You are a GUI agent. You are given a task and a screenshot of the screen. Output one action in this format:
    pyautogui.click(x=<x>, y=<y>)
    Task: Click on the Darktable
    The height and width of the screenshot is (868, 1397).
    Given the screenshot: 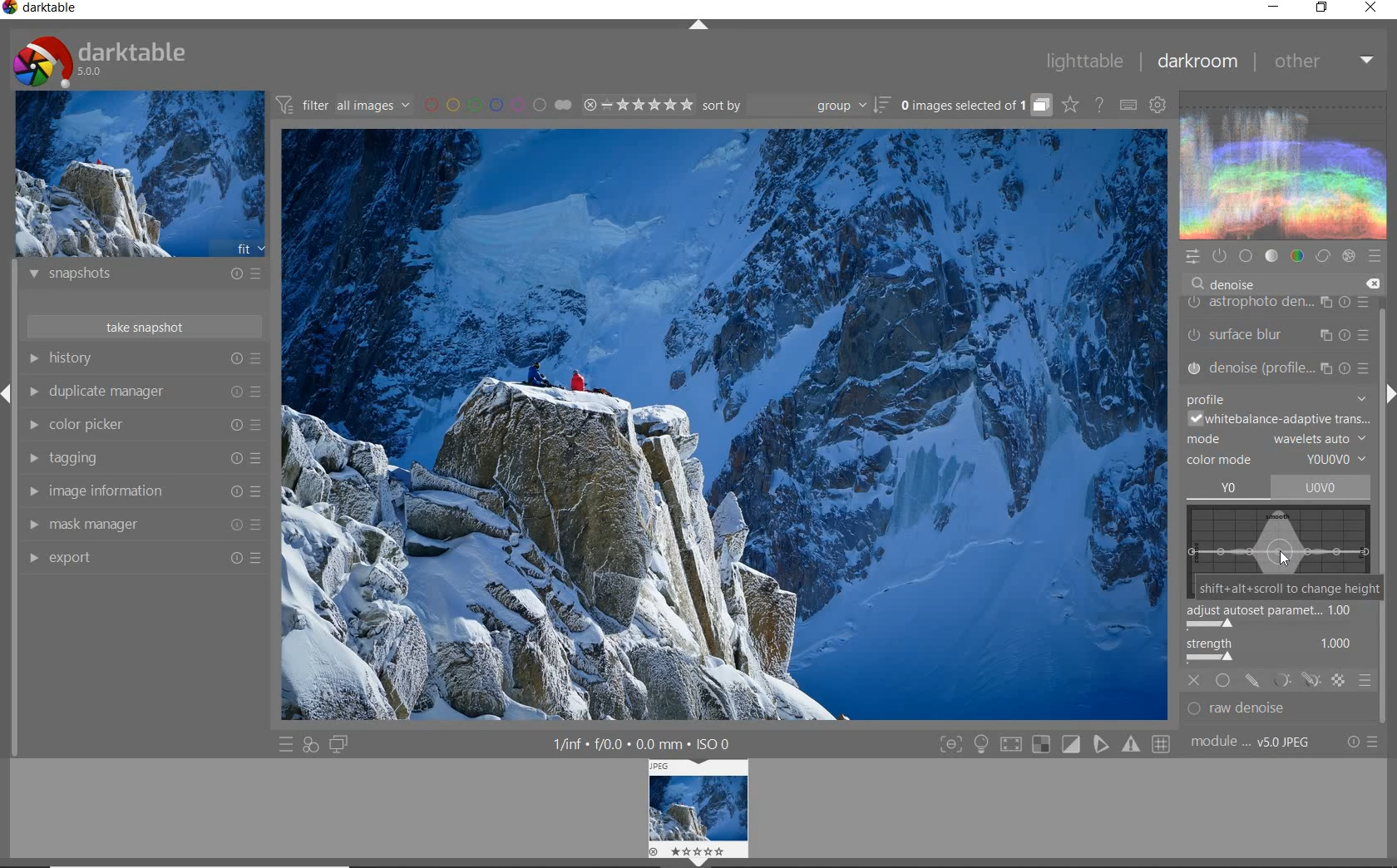 What is the action you would take?
    pyautogui.click(x=42, y=11)
    